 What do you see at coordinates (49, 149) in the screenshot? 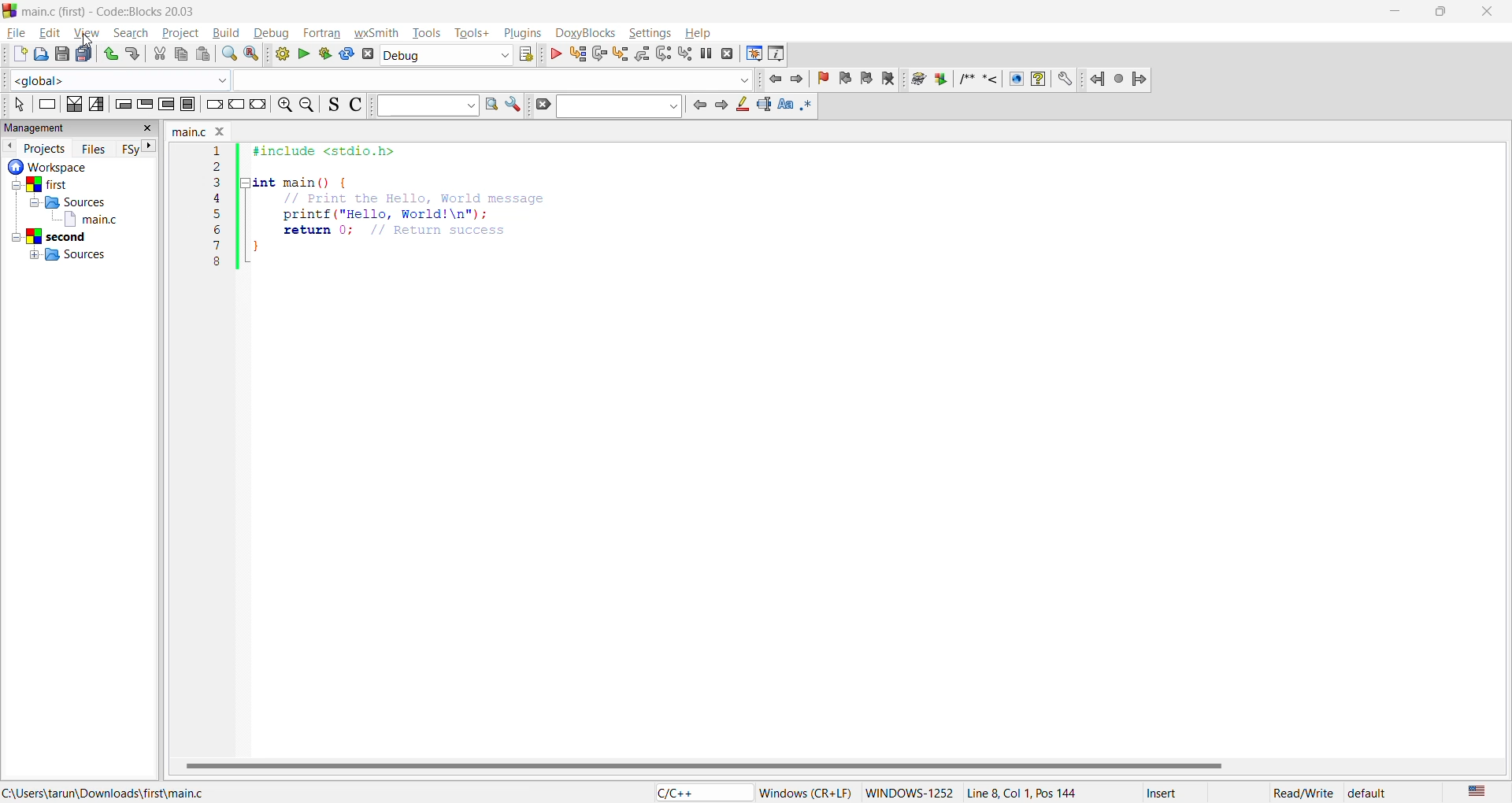
I see `projects` at bounding box center [49, 149].